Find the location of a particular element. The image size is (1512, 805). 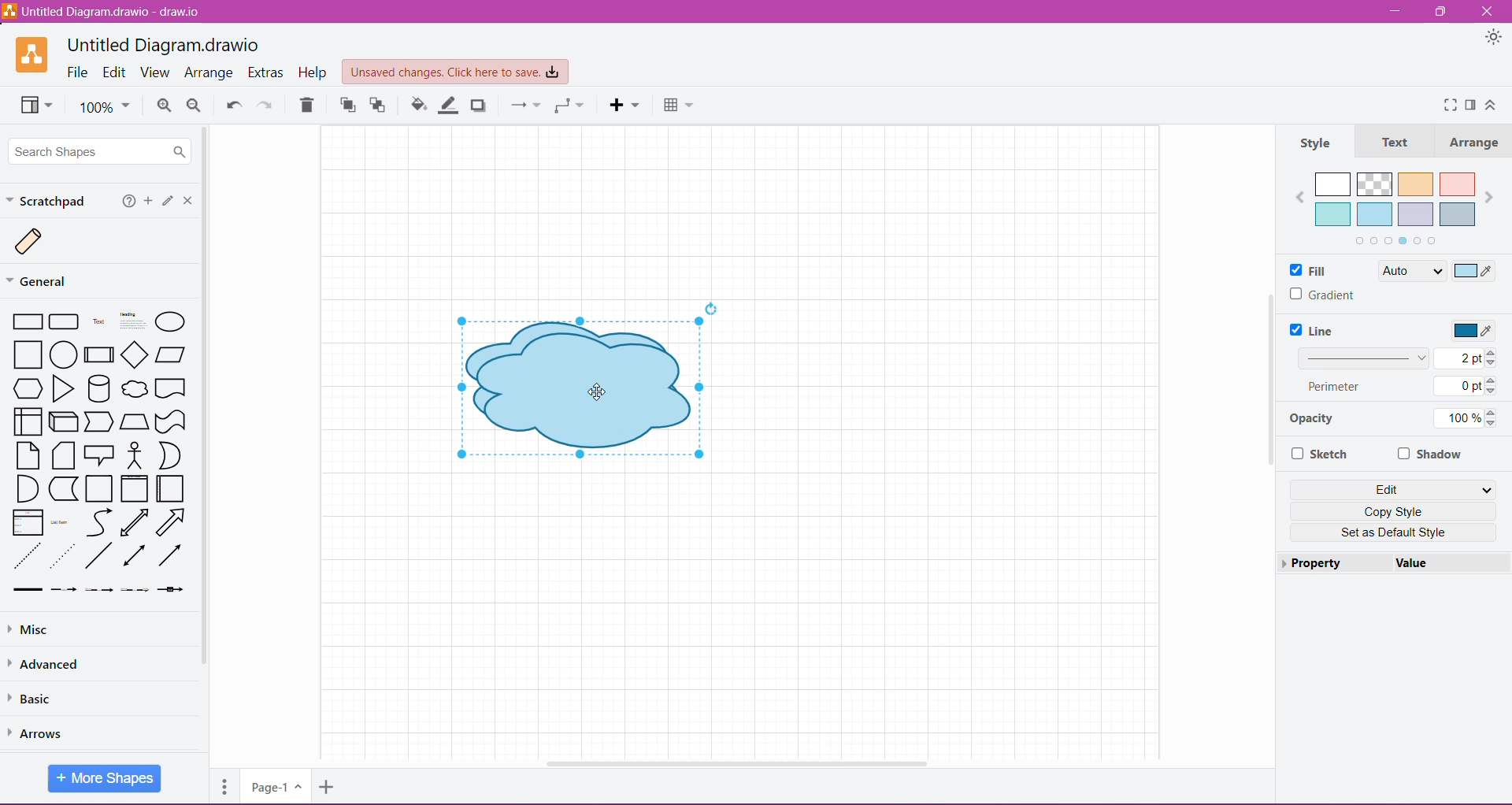

General is located at coordinates (46, 280).